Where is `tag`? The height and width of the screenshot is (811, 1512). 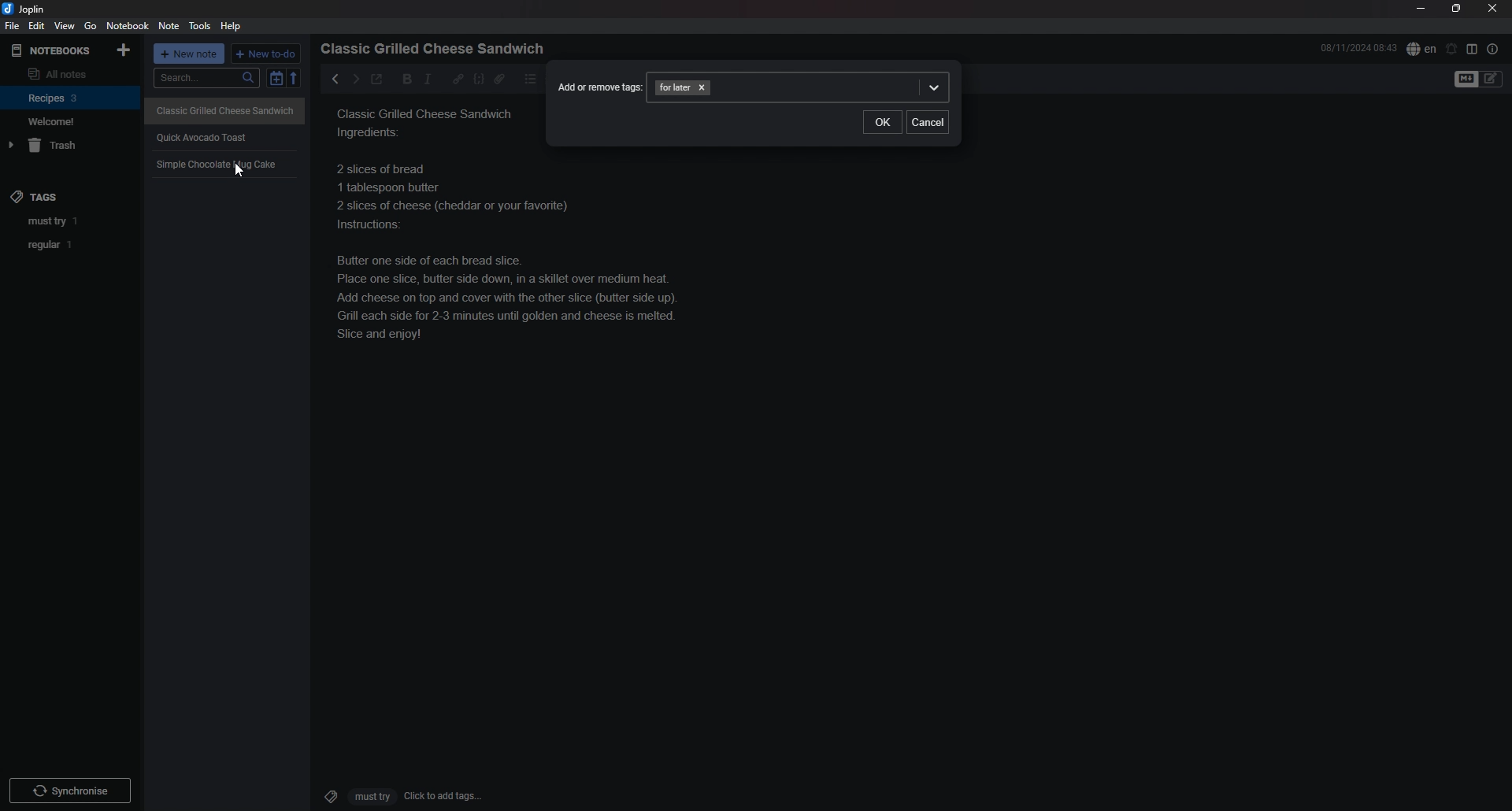
tag is located at coordinates (72, 245).